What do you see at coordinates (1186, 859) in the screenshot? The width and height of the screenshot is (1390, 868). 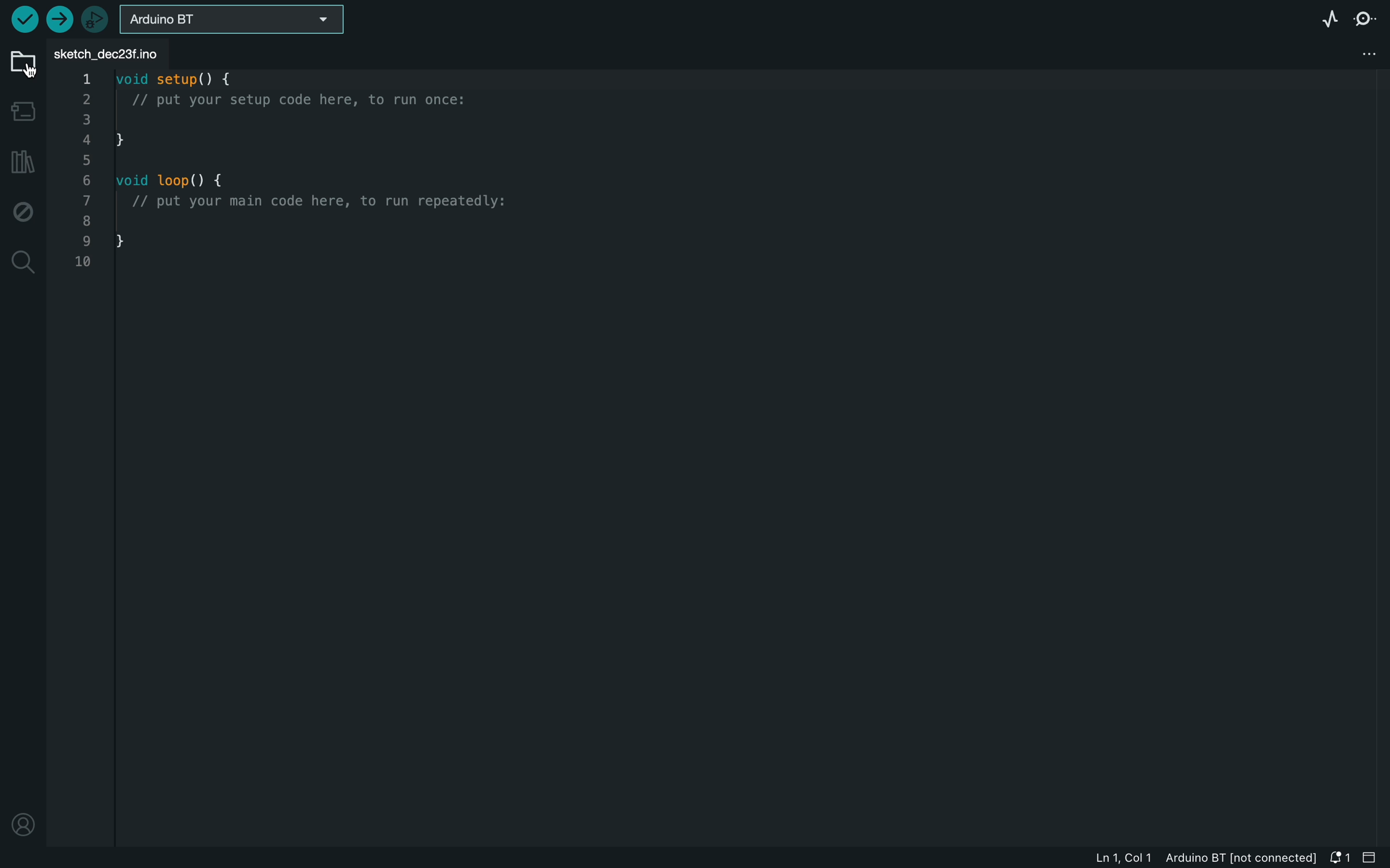 I see `file information` at bounding box center [1186, 859].